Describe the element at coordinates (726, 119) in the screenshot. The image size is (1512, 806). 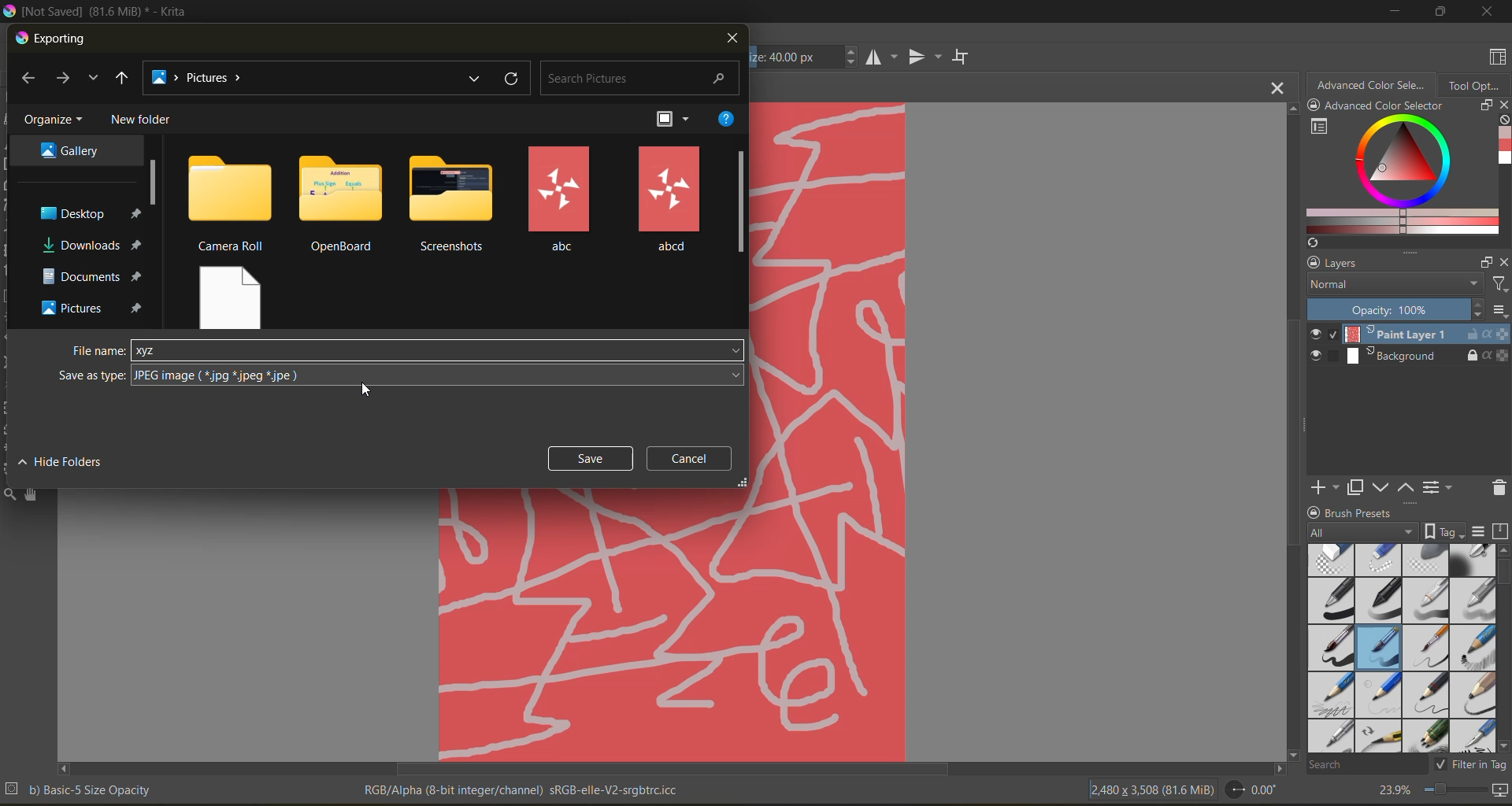
I see `help` at that location.